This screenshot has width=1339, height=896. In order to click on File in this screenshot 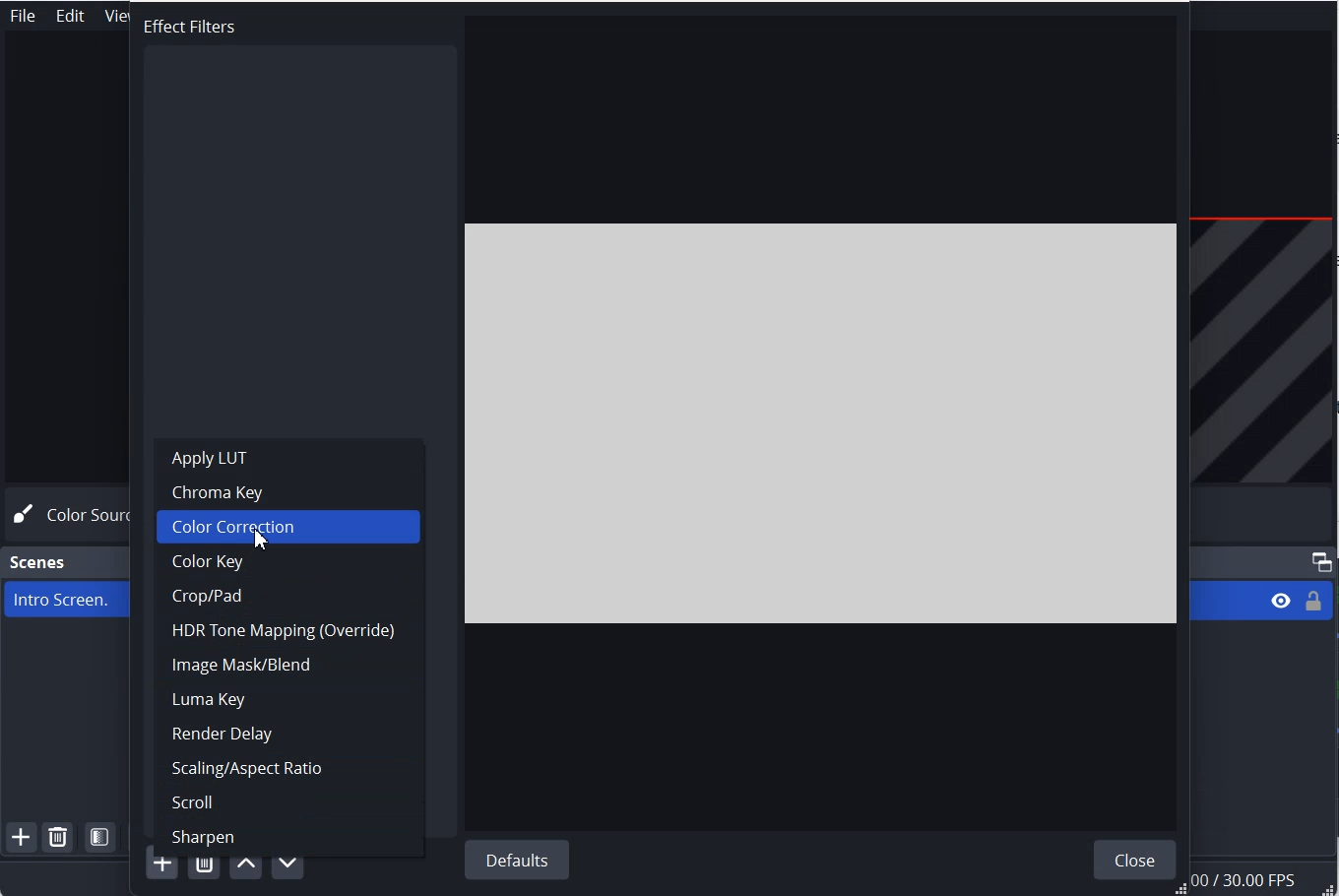, I will do `click(22, 16)`.